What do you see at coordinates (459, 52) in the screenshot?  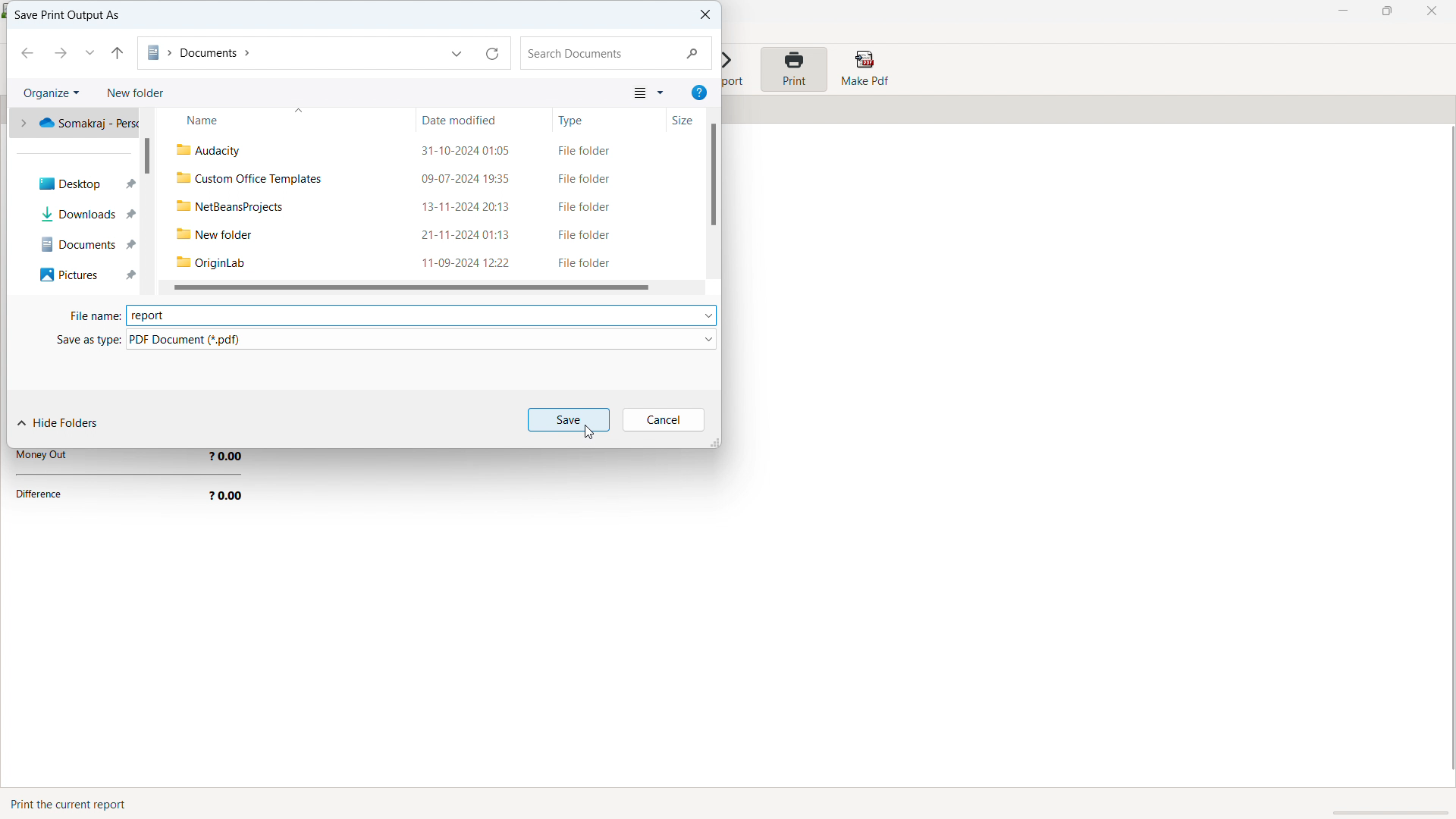 I see `location history` at bounding box center [459, 52].